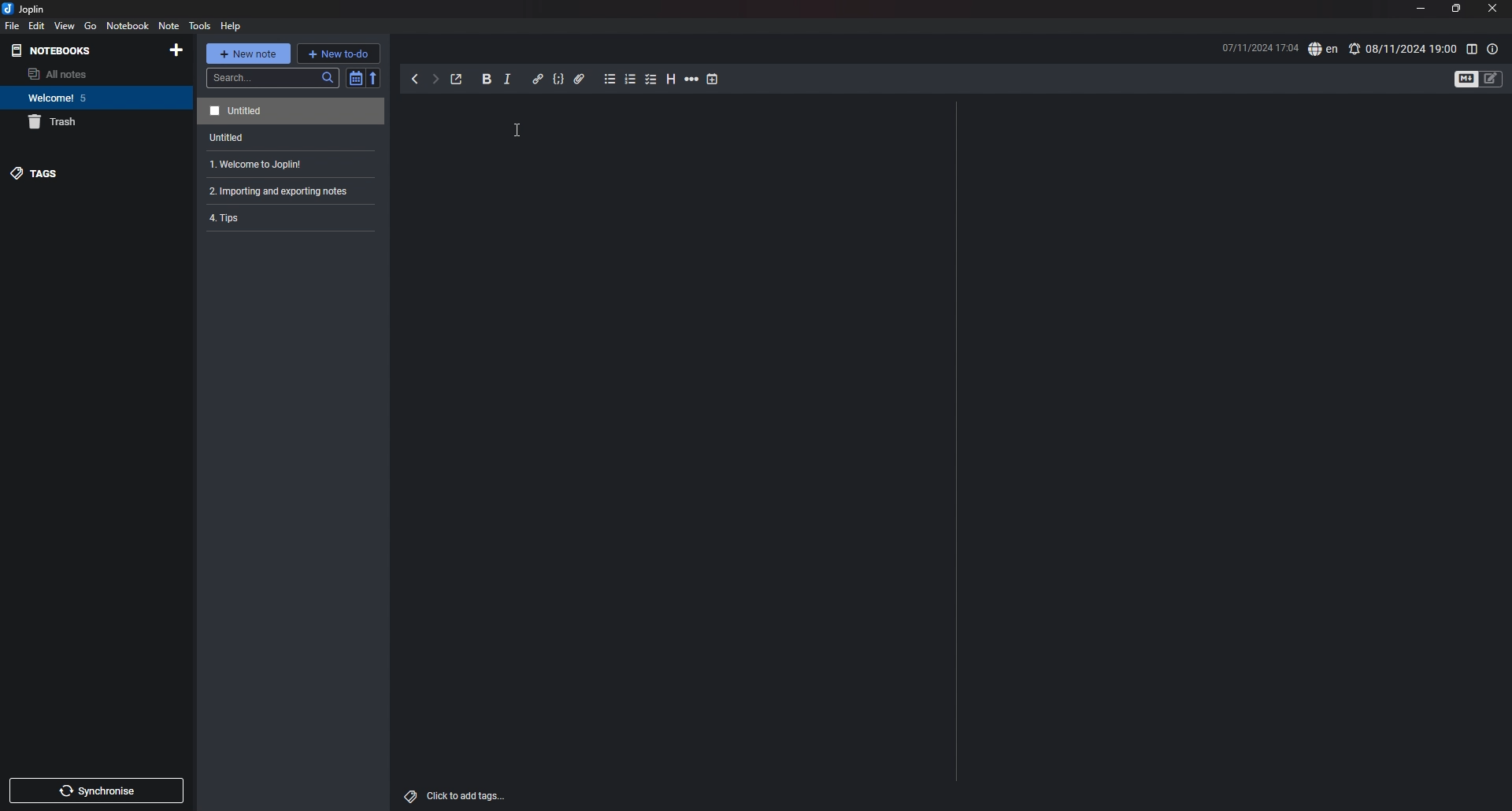 The image size is (1512, 811). I want to click on forward, so click(435, 80).